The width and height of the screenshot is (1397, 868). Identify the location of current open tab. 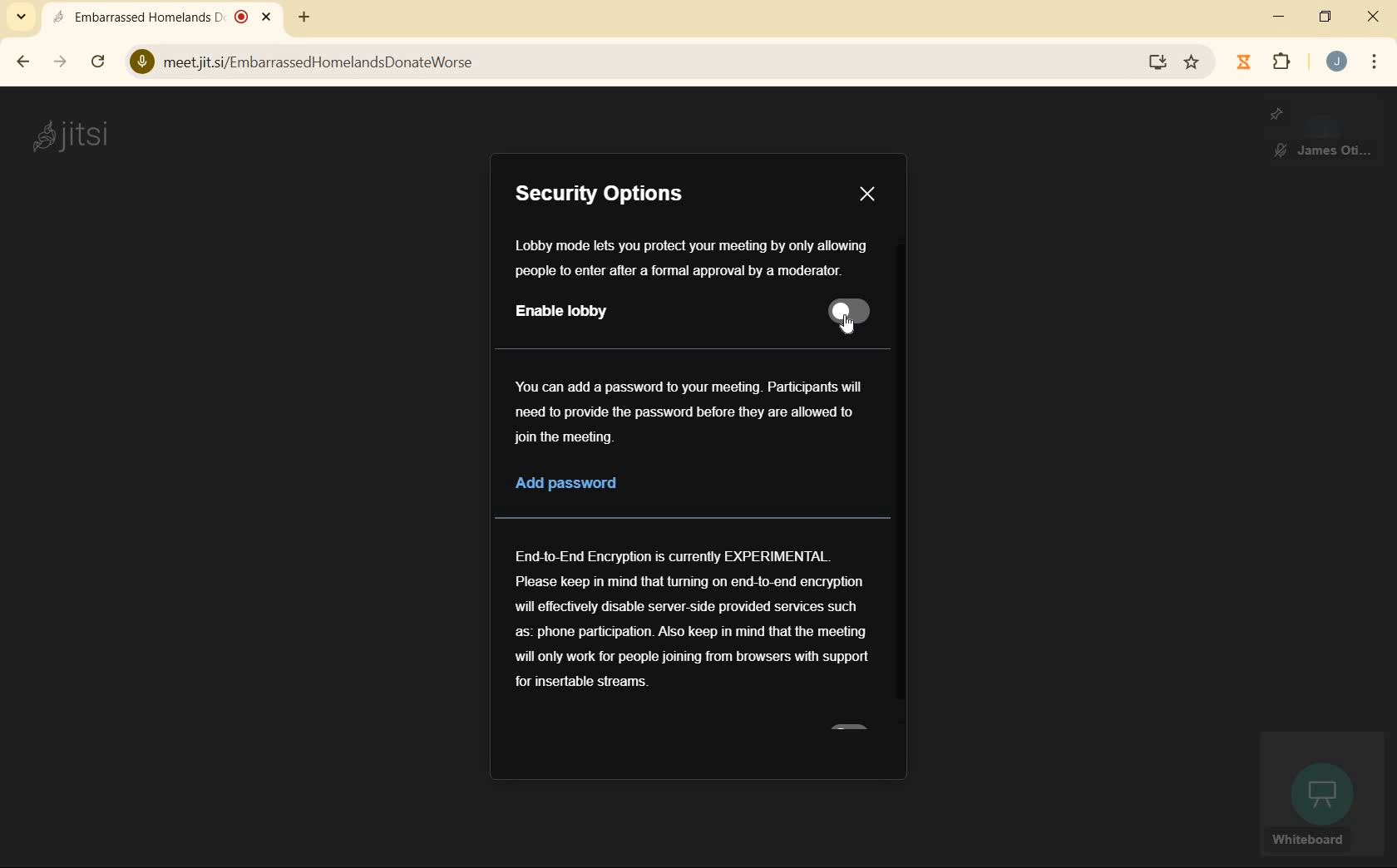
(164, 17).